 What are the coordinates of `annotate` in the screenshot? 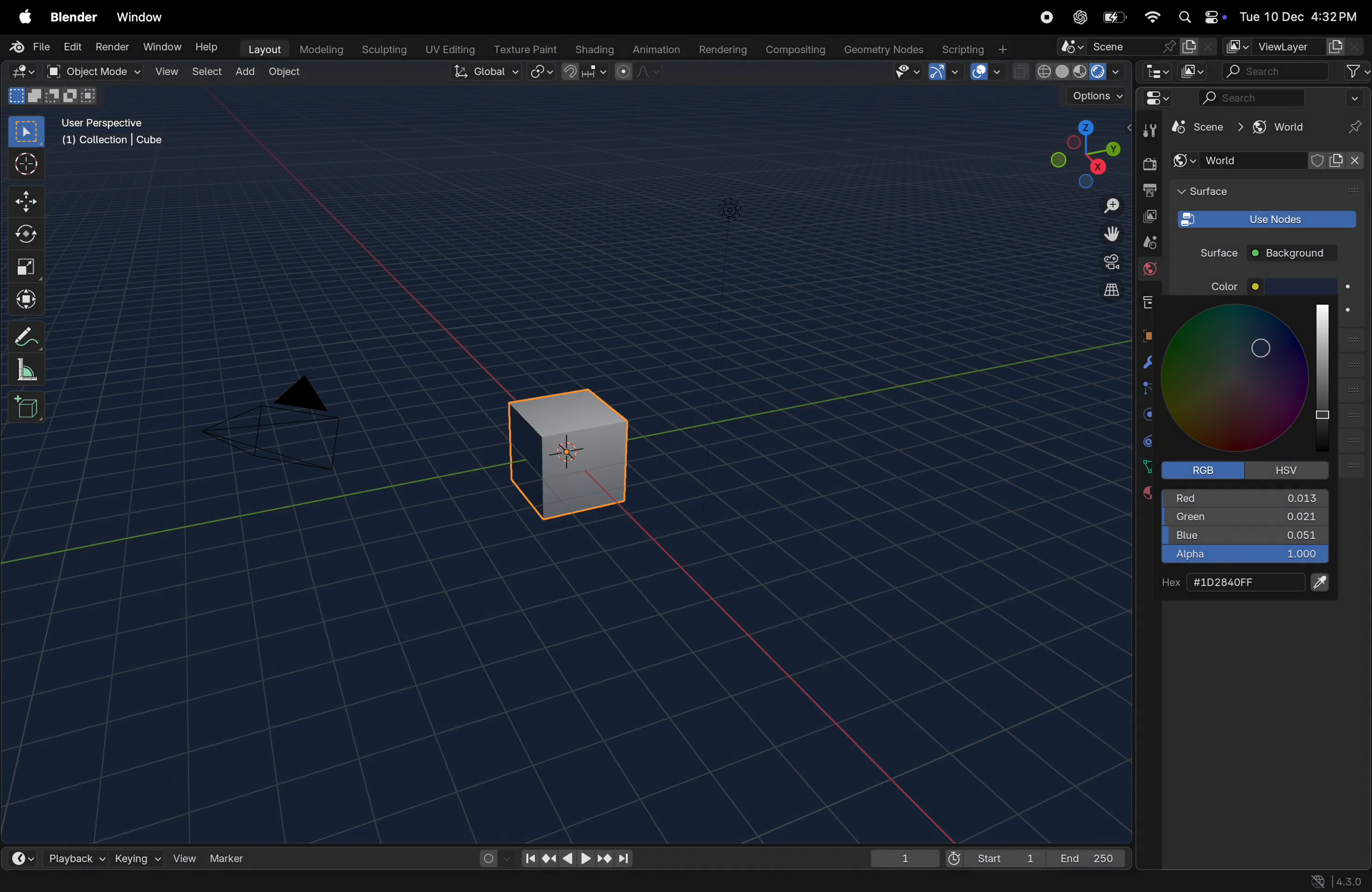 It's located at (29, 334).